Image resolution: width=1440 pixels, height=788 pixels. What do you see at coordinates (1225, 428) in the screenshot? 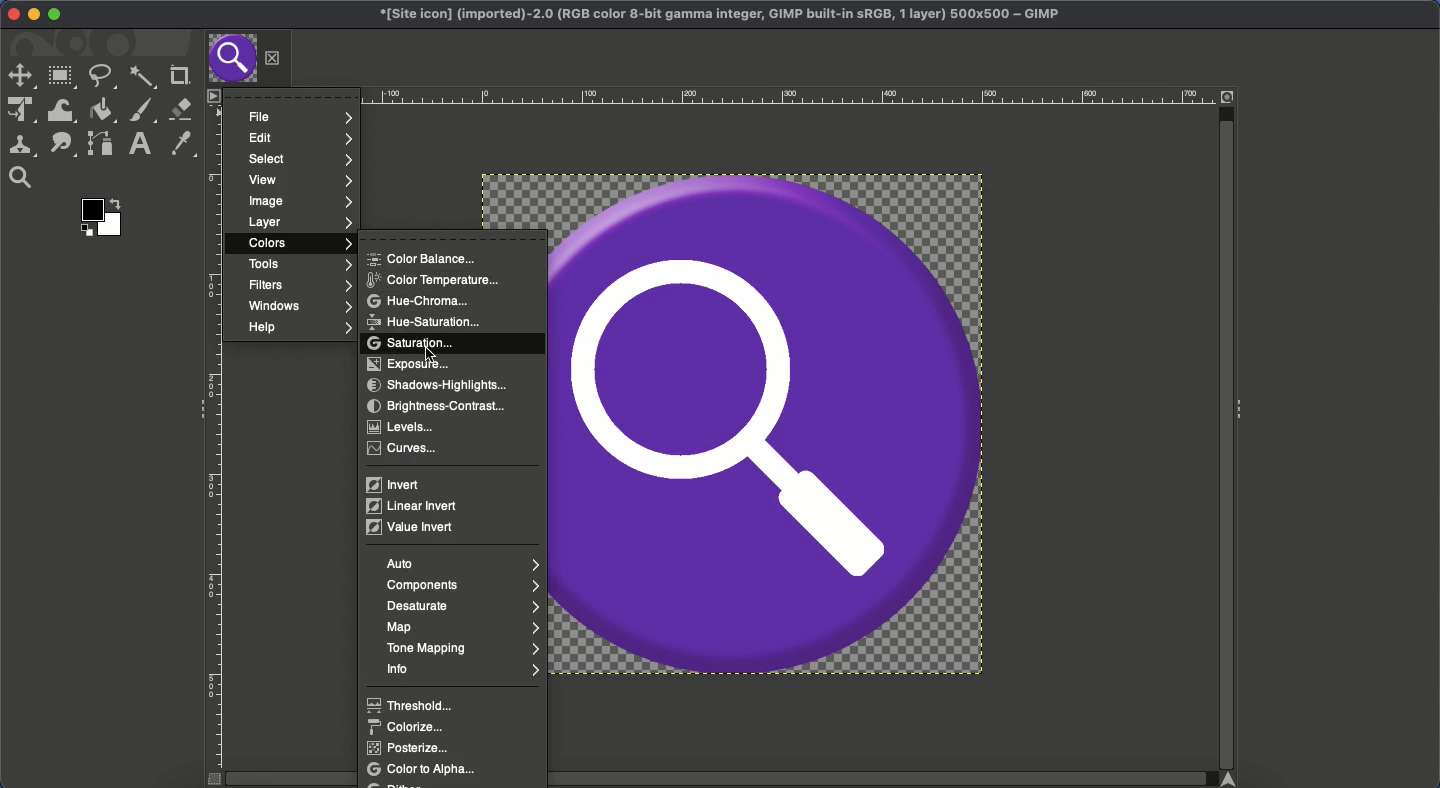
I see `Scroll` at bounding box center [1225, 428].